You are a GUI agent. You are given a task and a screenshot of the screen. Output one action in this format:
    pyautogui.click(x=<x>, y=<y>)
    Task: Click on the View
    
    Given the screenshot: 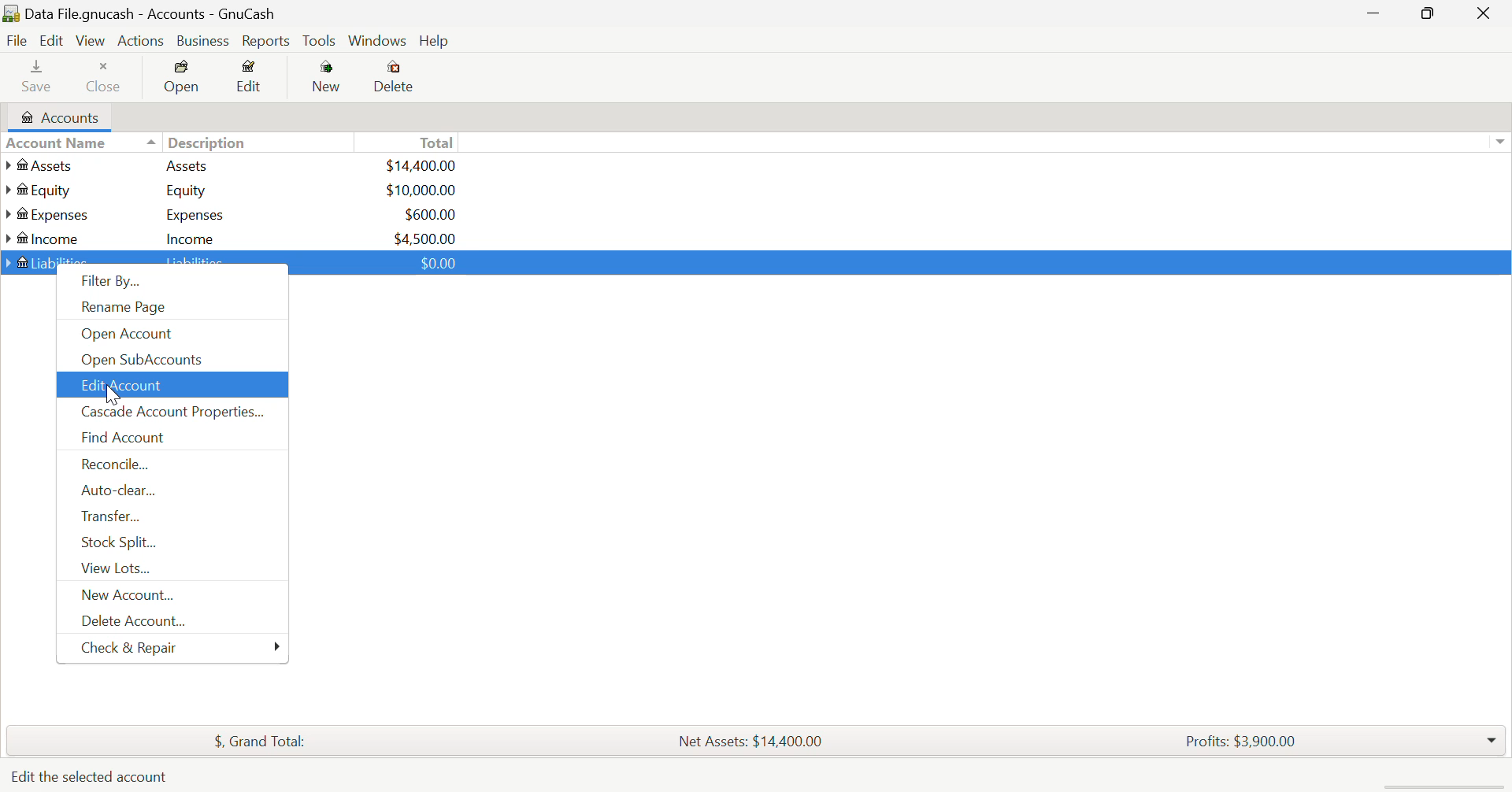 What is the action you would take?
    pyautogui.click(x=89, y=41)
    